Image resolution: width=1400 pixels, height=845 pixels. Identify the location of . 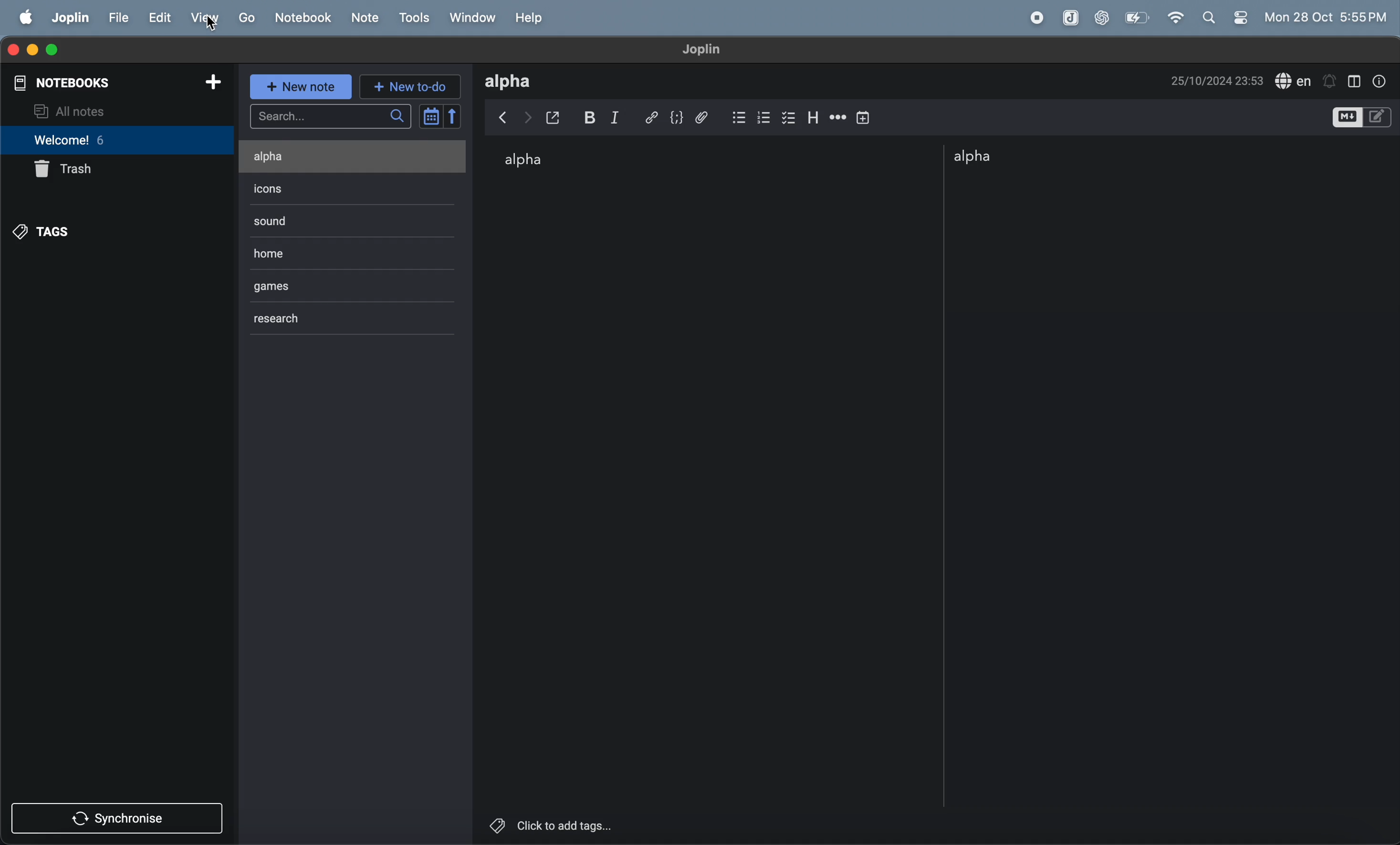
(594, 117).